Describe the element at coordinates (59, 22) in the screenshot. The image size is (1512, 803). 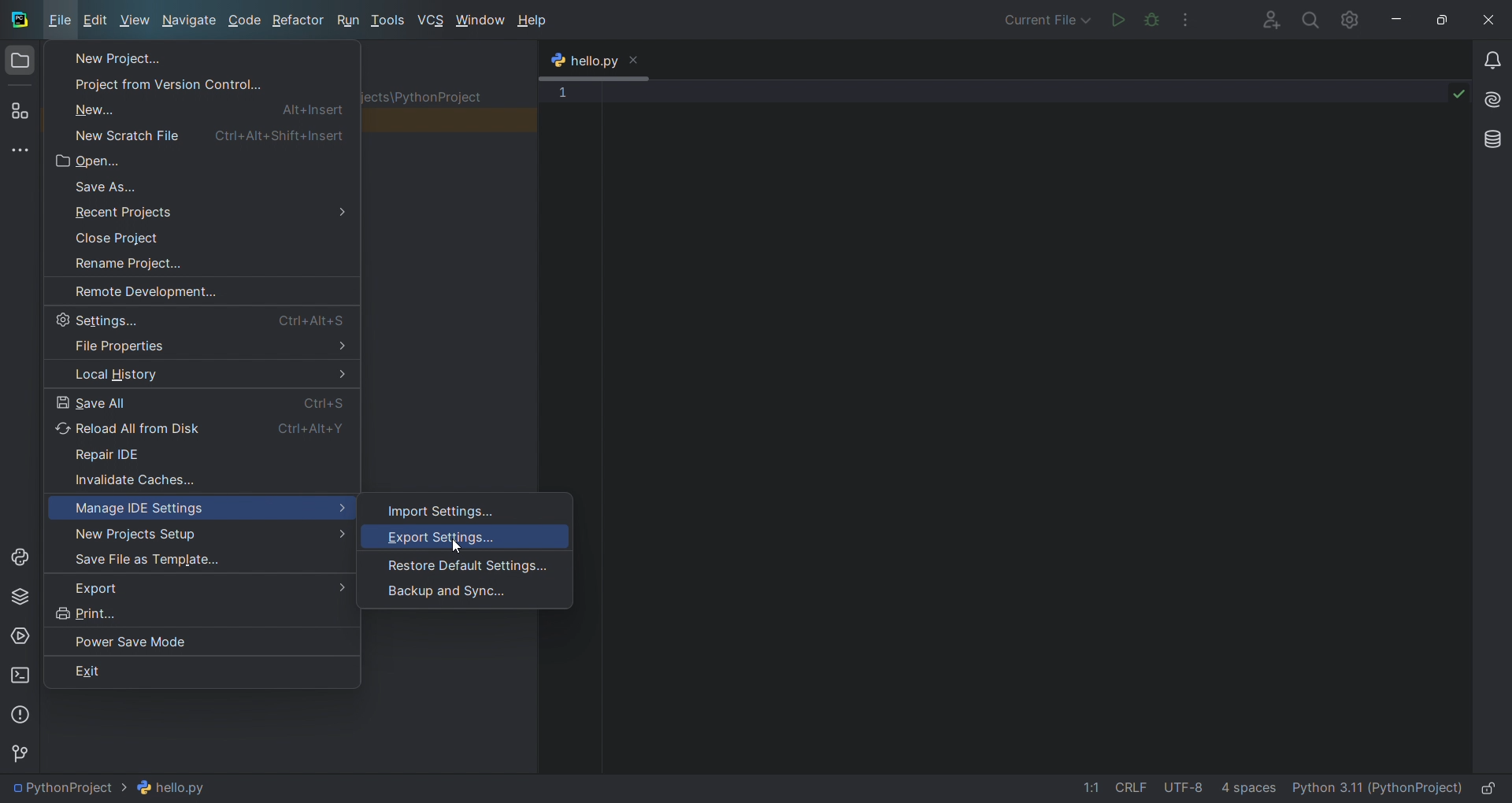
I see `file` at that location.